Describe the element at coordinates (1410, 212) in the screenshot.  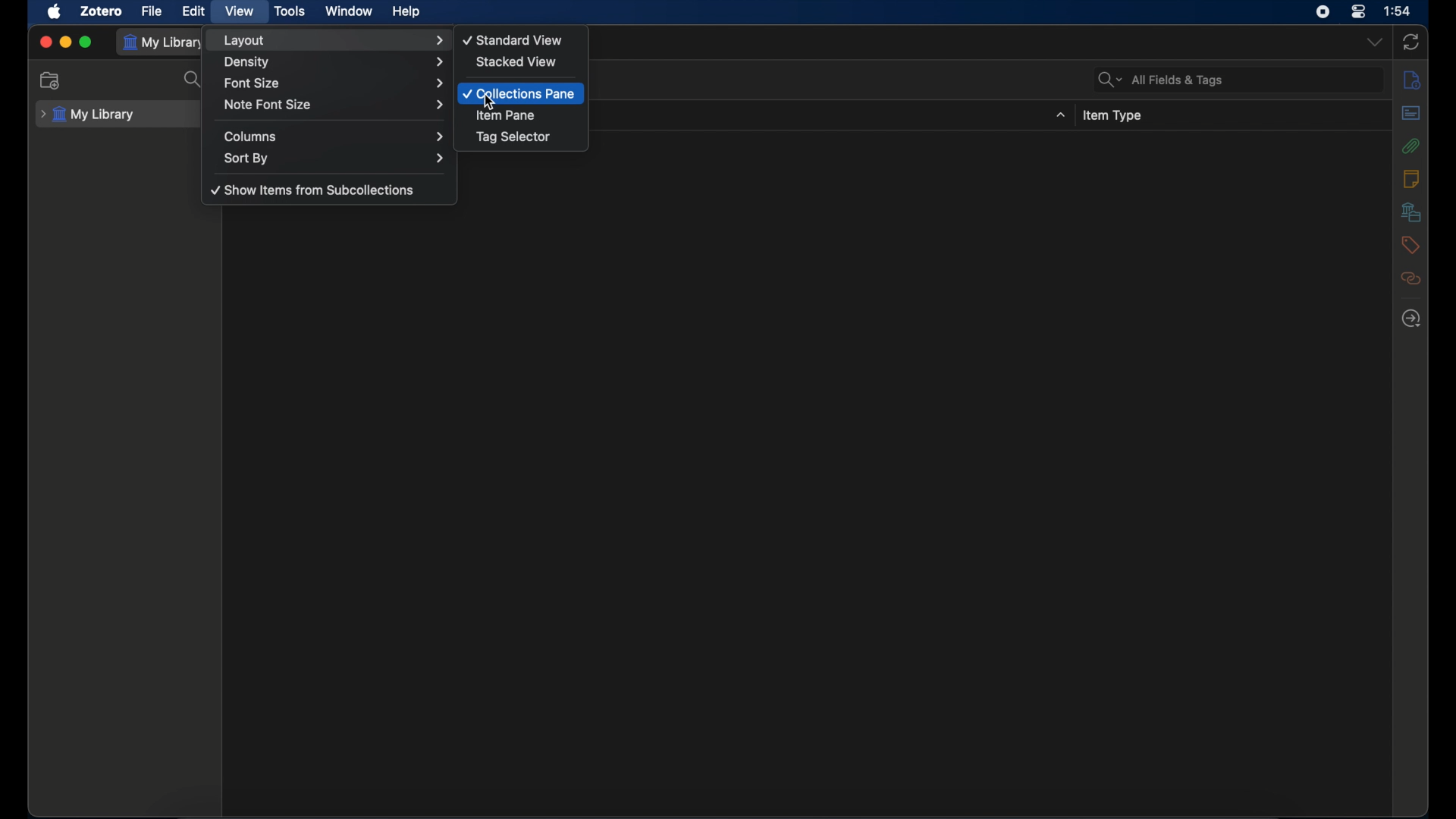
I see `libraries` at that location.